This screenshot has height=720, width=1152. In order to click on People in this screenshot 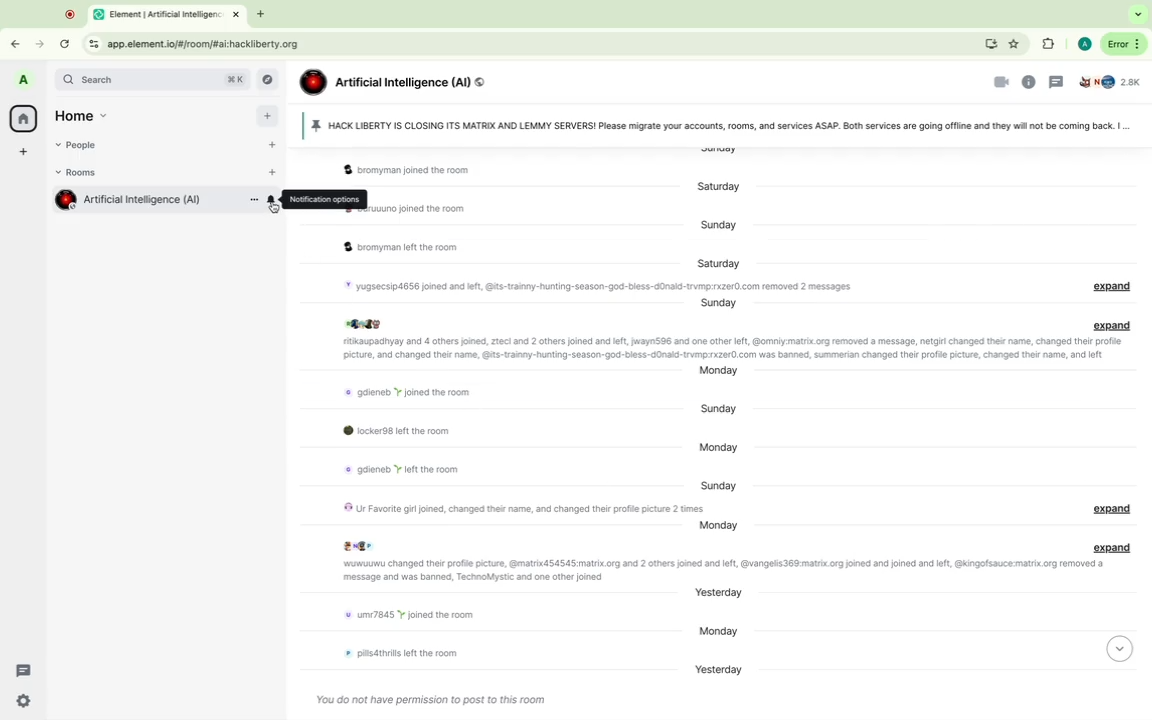, I will do `click(83, 146)`.